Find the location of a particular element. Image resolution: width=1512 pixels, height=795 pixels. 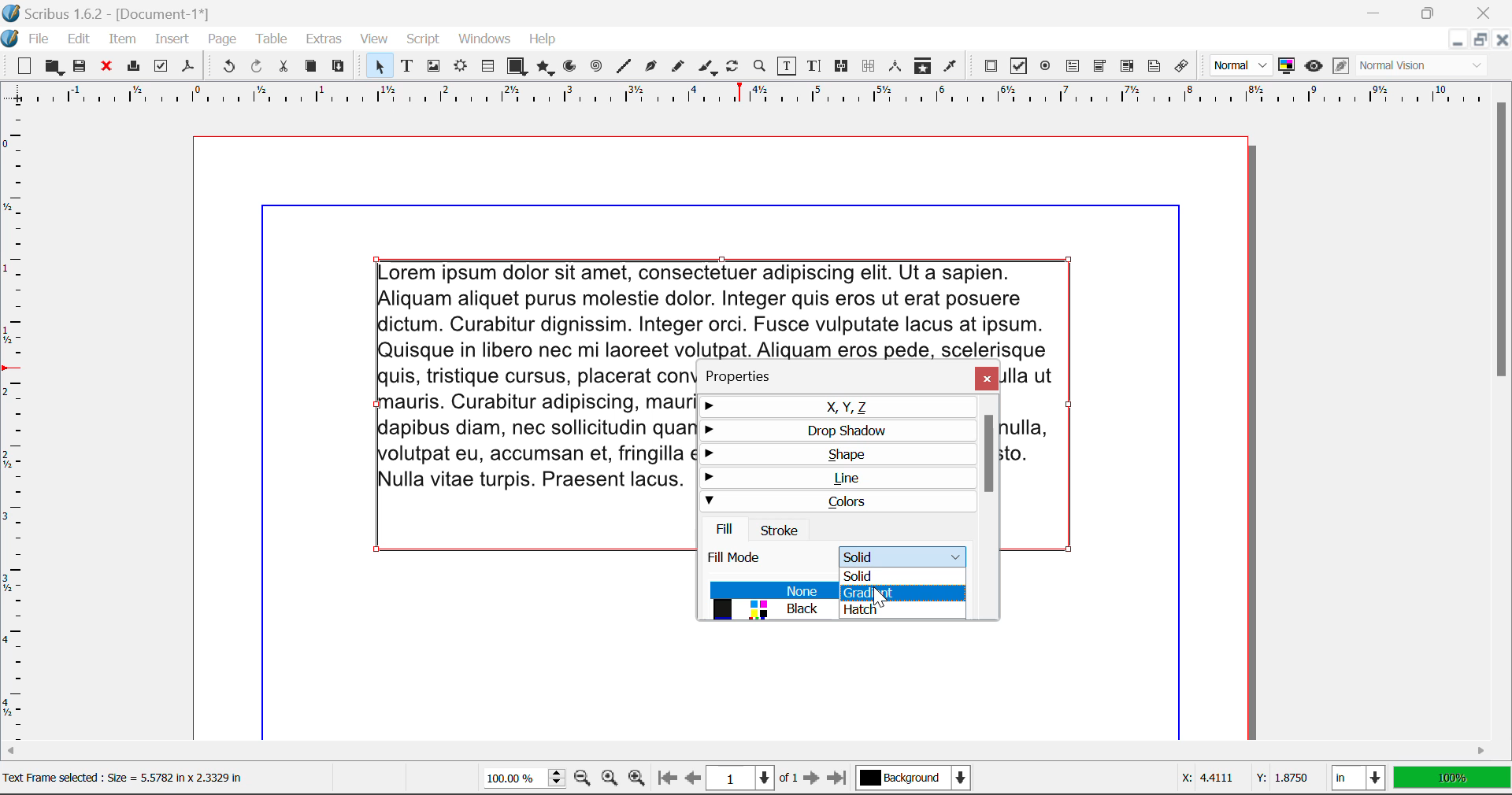

Properties is located at coordinates (747, 376).